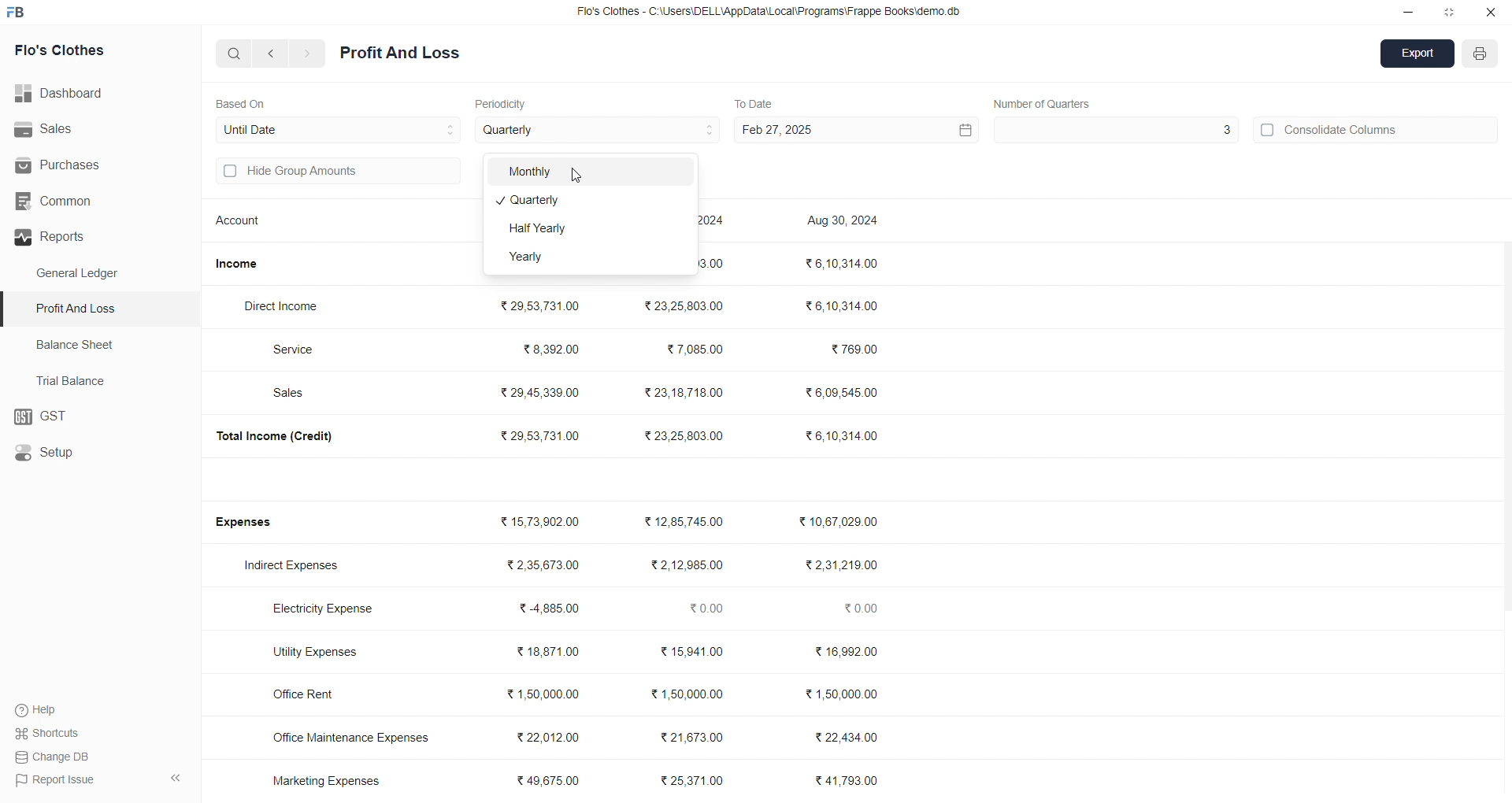  Describe the element at coordinates (254, 523) in the screenshot. I see `Expenses` at that location.